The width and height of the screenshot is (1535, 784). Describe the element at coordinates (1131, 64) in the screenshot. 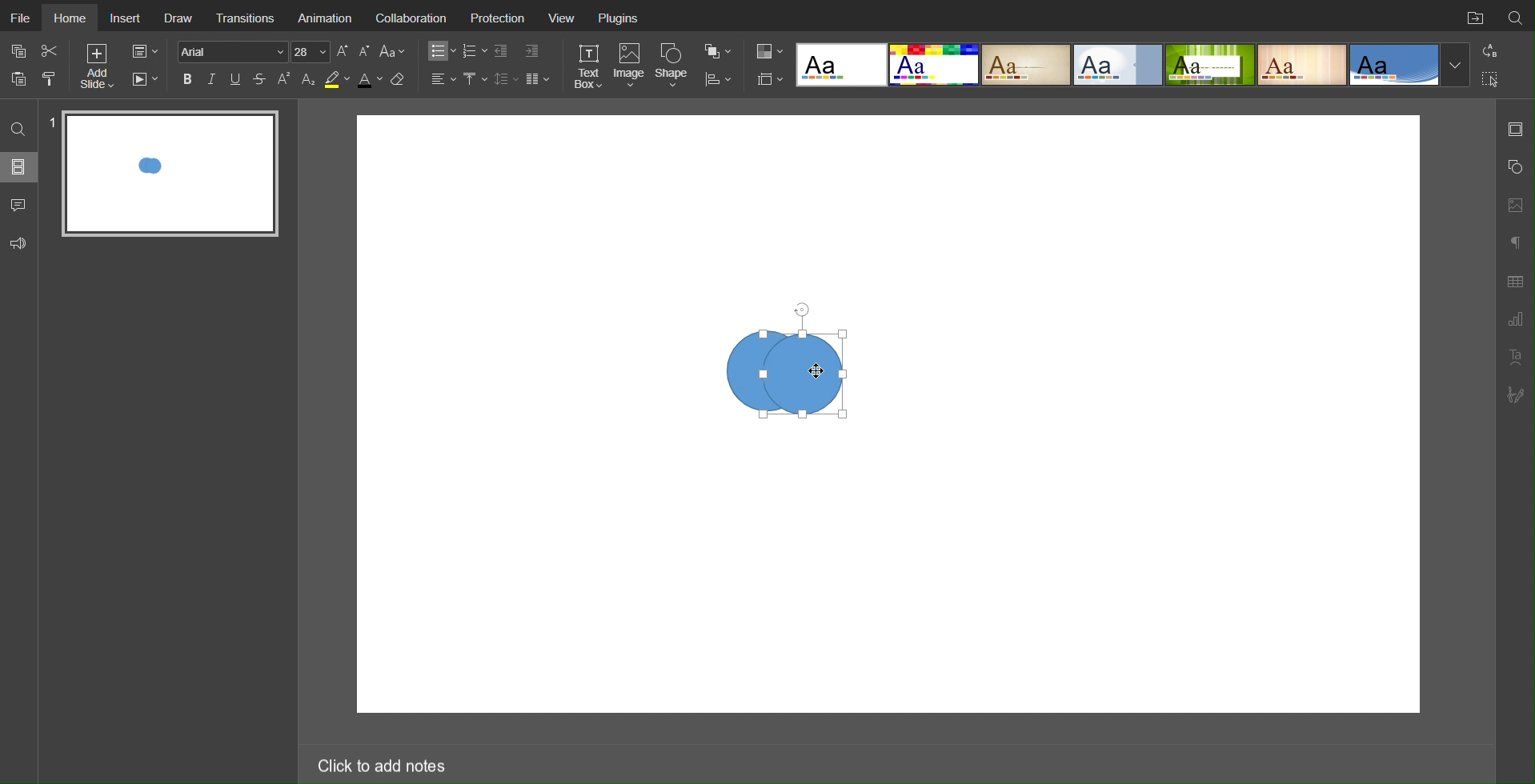

I see `Templates` at that location.